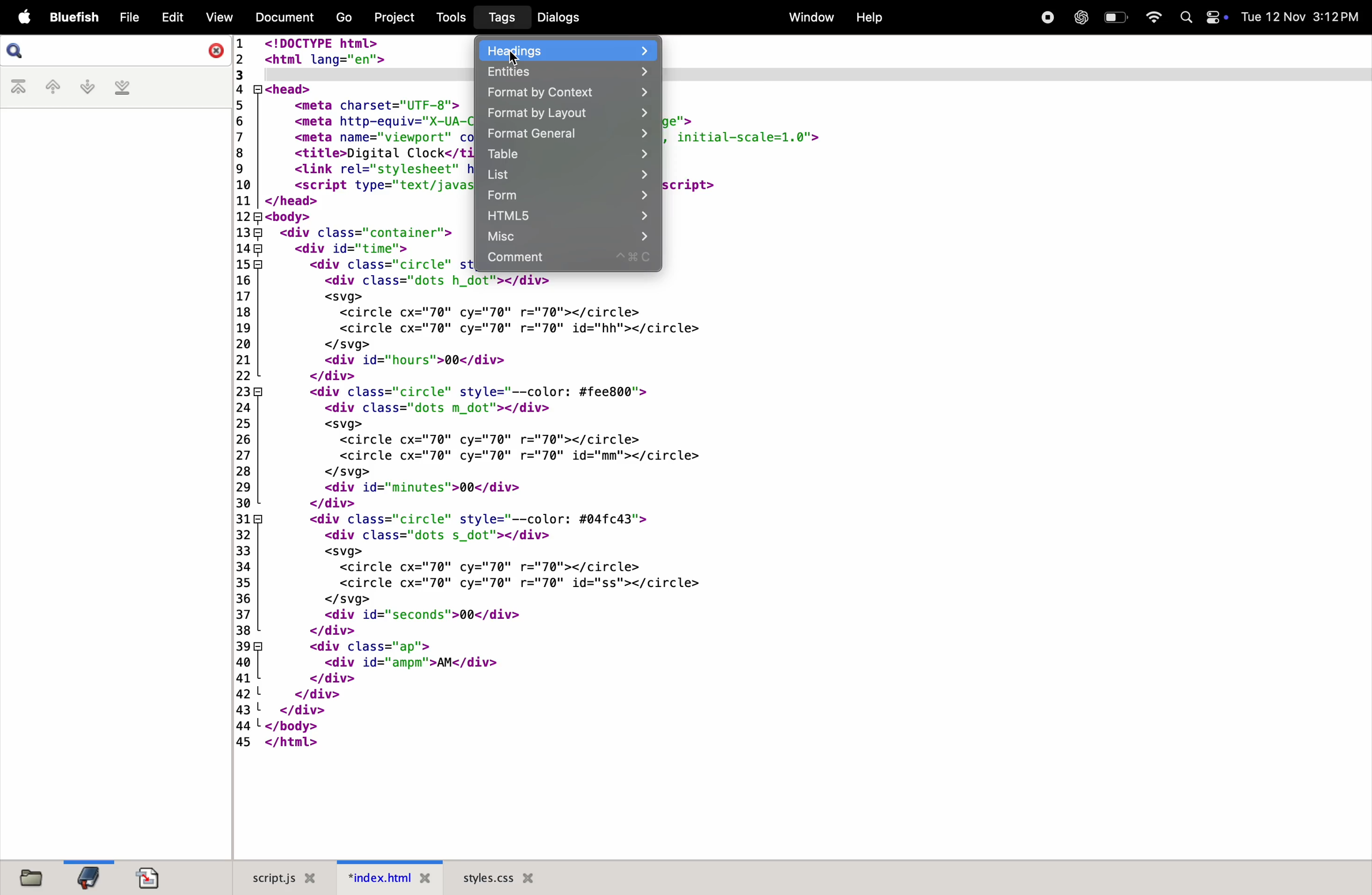 The image size is (1372, 895). Describe the element at coordinates (217, 17) in the screenshot. I see `view` at that location.